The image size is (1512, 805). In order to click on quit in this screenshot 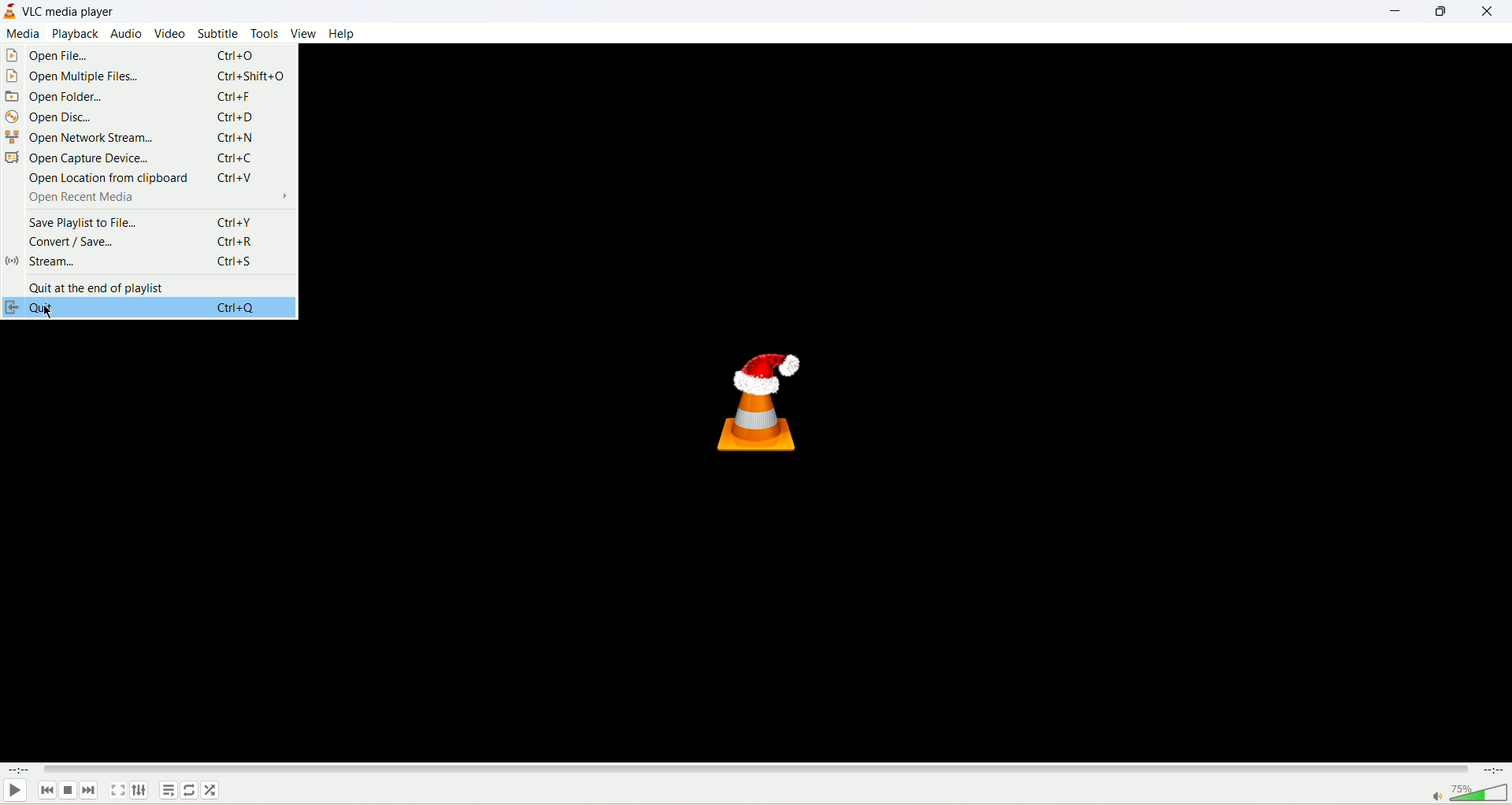, I will do `click(146, 309)`.